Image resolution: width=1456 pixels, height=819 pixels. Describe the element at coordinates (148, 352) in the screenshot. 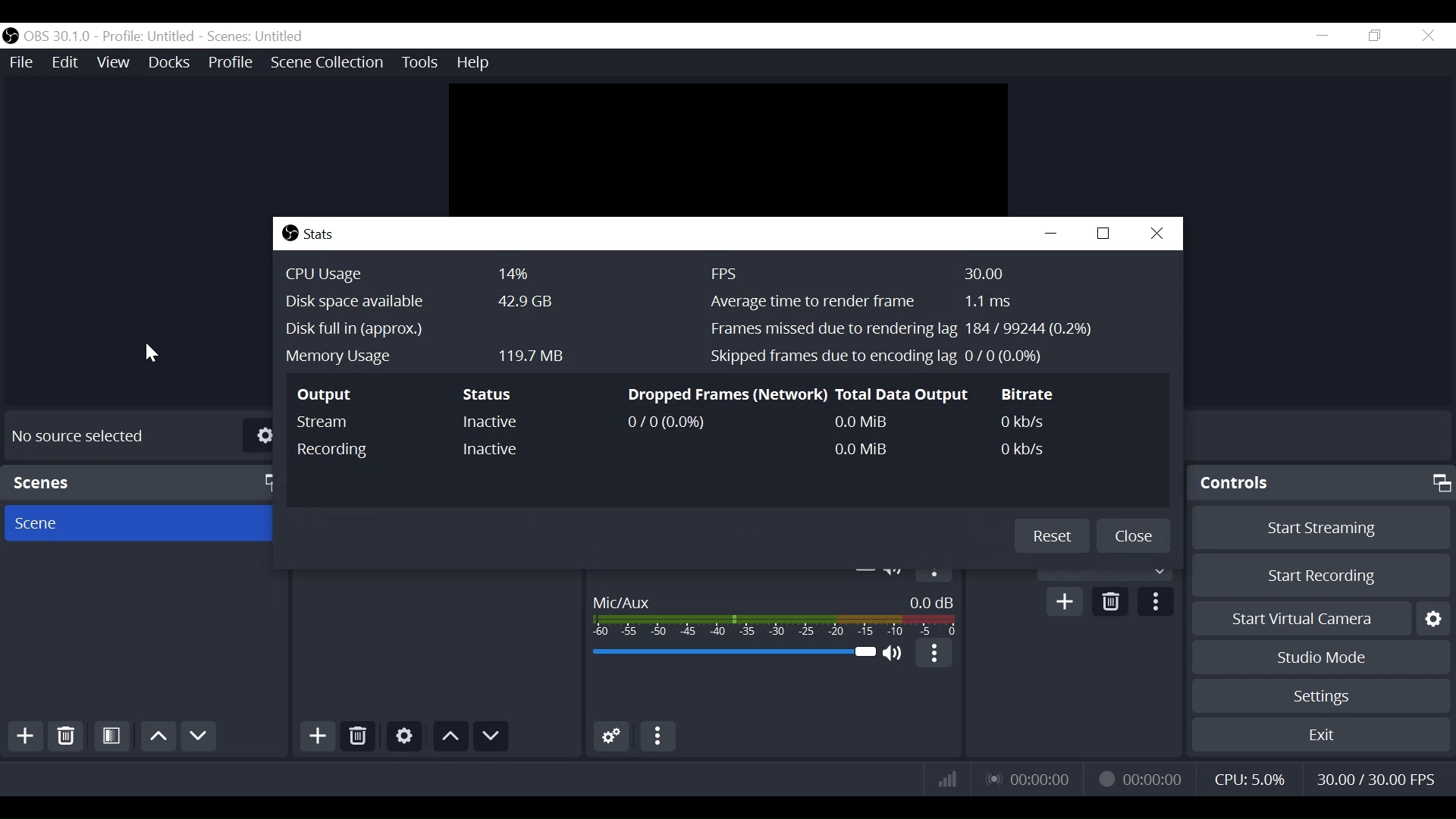

I see `Cursor` at that location.